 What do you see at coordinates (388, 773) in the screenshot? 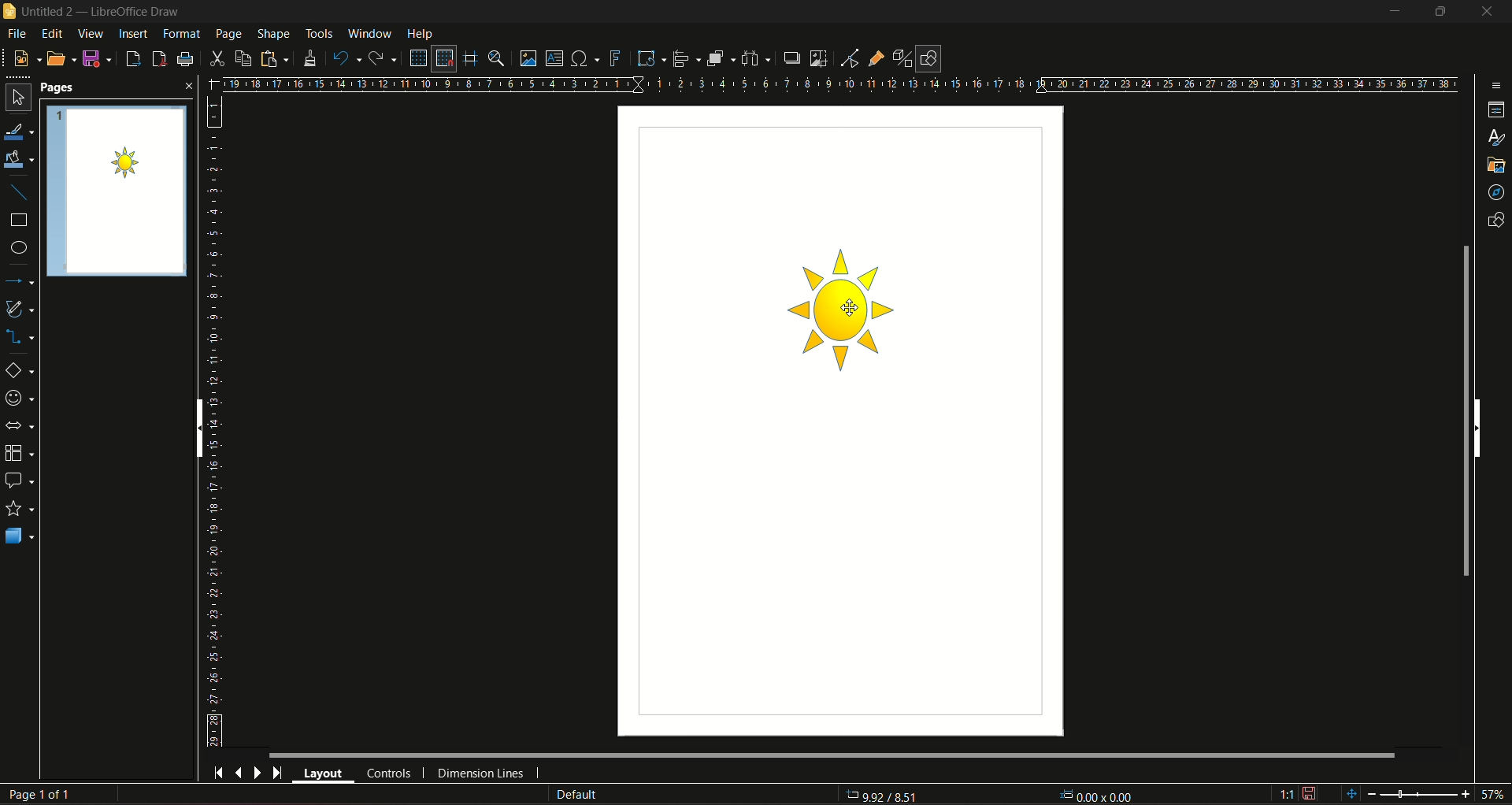
I see `controls` at bounding box center [388, 773].